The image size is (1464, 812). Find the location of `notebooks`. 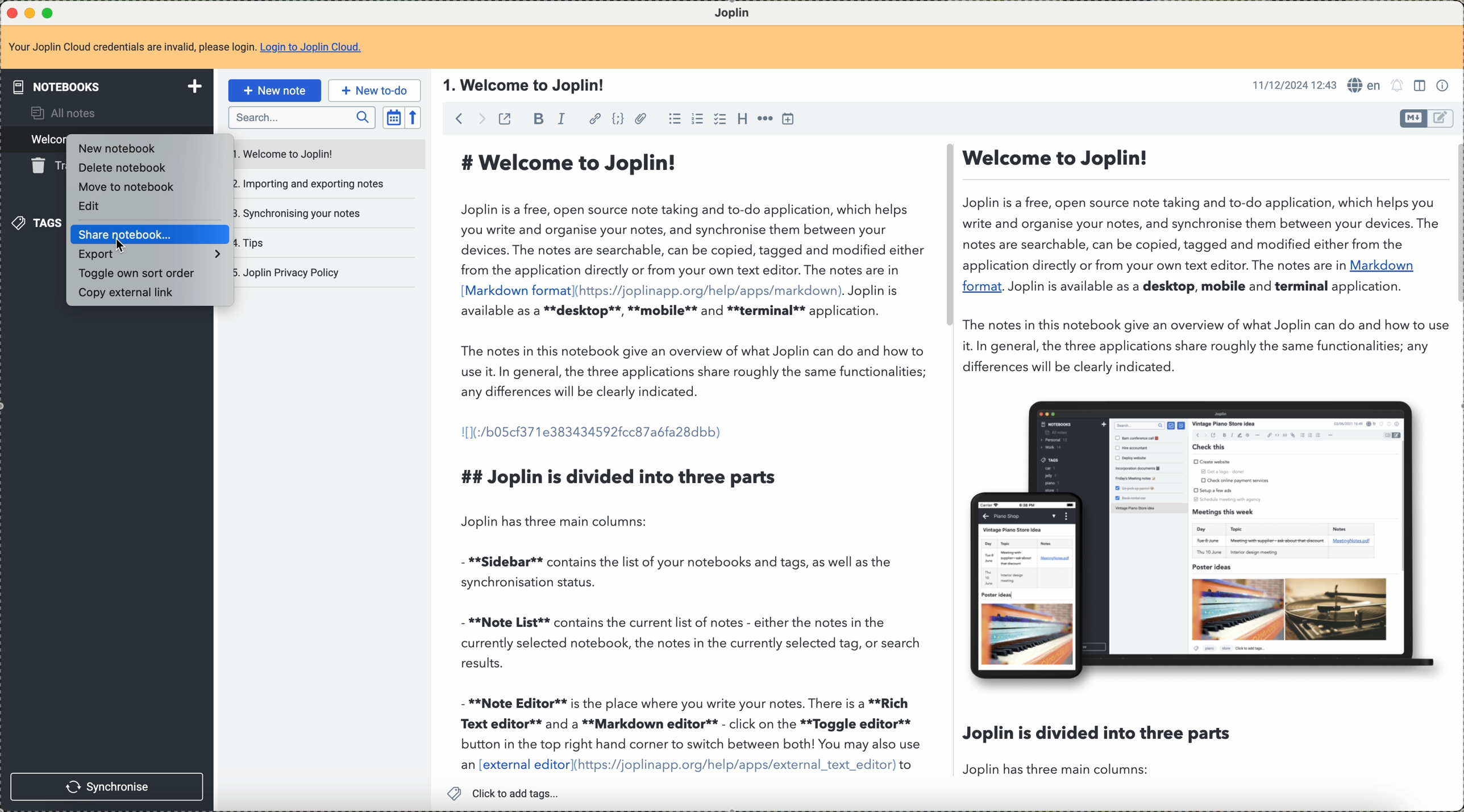

notebooks is located at coordinates (110, 86).